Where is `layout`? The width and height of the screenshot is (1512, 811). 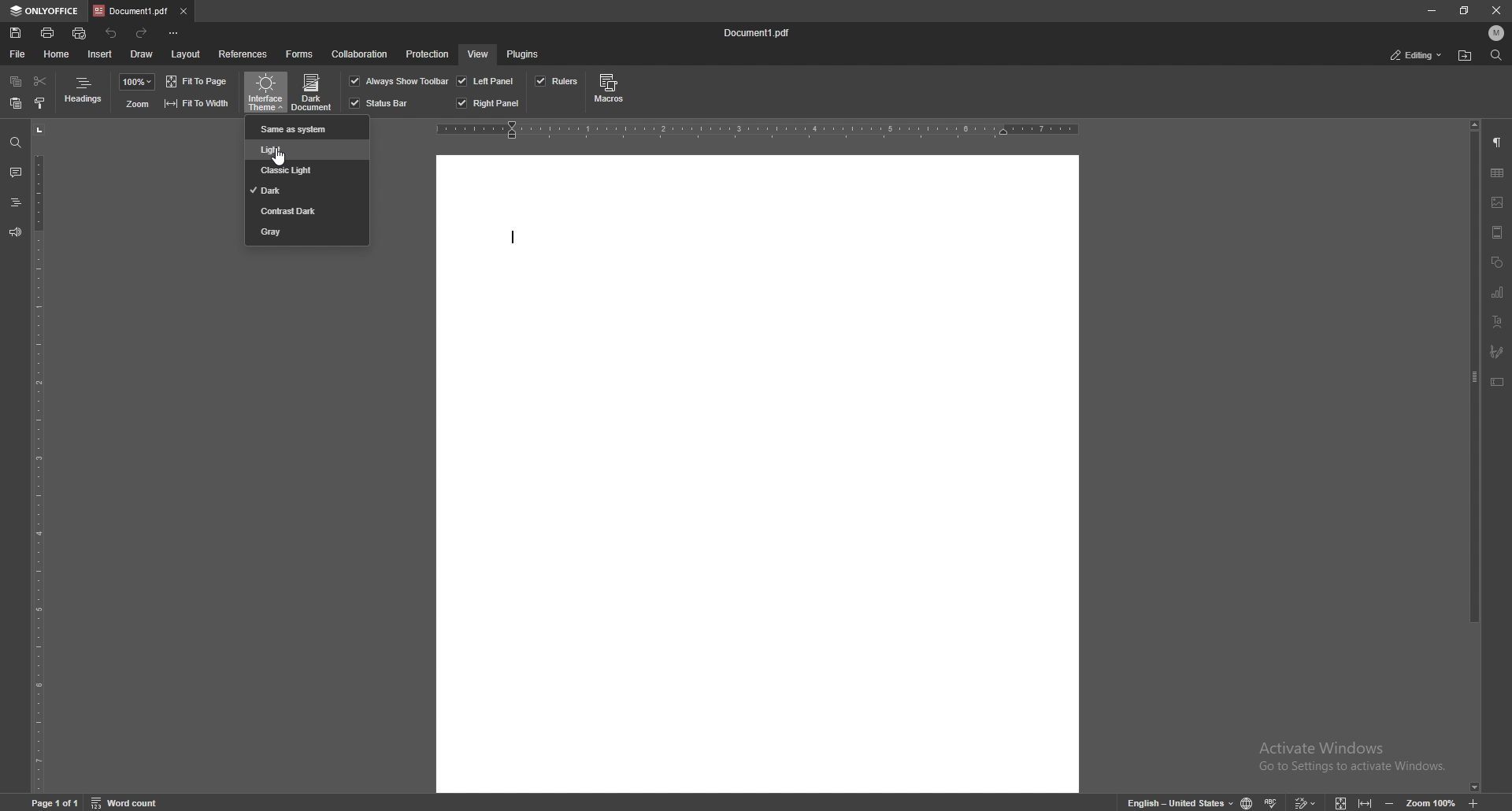
layout is located at coordinates (187, 56).